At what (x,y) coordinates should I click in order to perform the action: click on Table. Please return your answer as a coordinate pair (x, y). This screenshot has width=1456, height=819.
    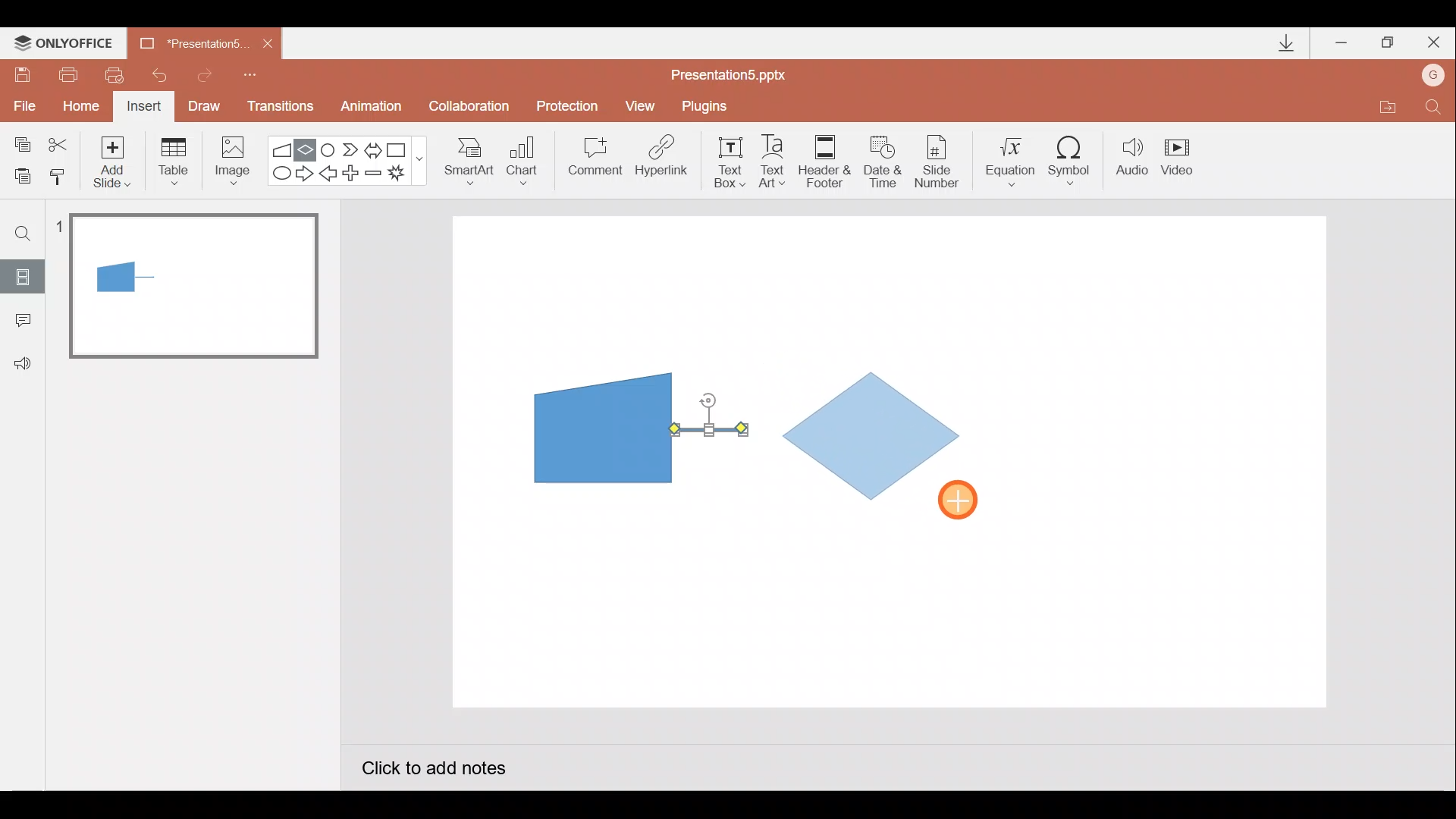
    Looking at the image, I should click on (172, 160).